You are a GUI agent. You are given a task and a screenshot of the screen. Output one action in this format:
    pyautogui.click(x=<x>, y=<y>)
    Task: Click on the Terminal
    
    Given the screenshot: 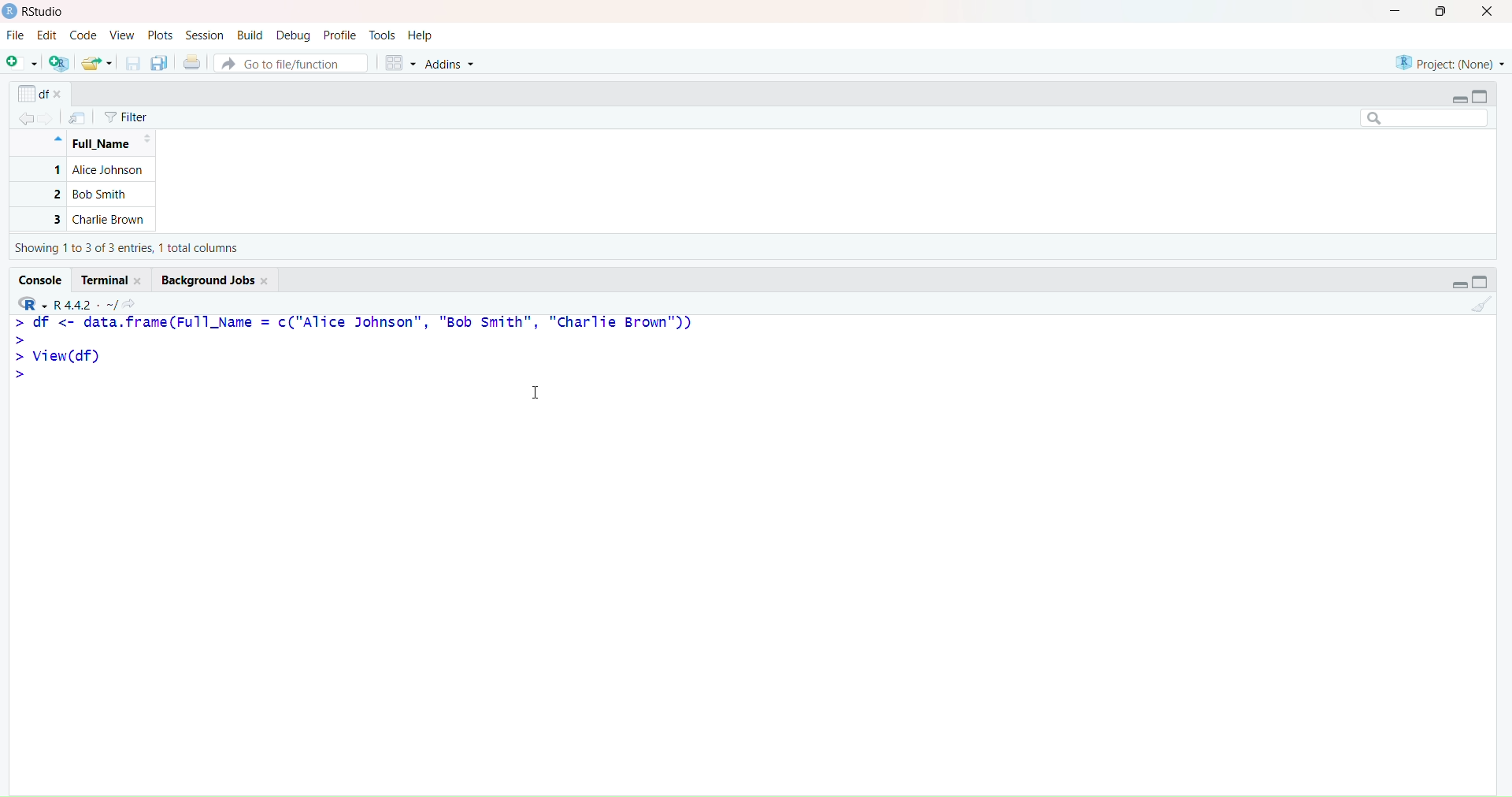 What is the action you would take?
    pyautogui.click(x=116, y=277)
    